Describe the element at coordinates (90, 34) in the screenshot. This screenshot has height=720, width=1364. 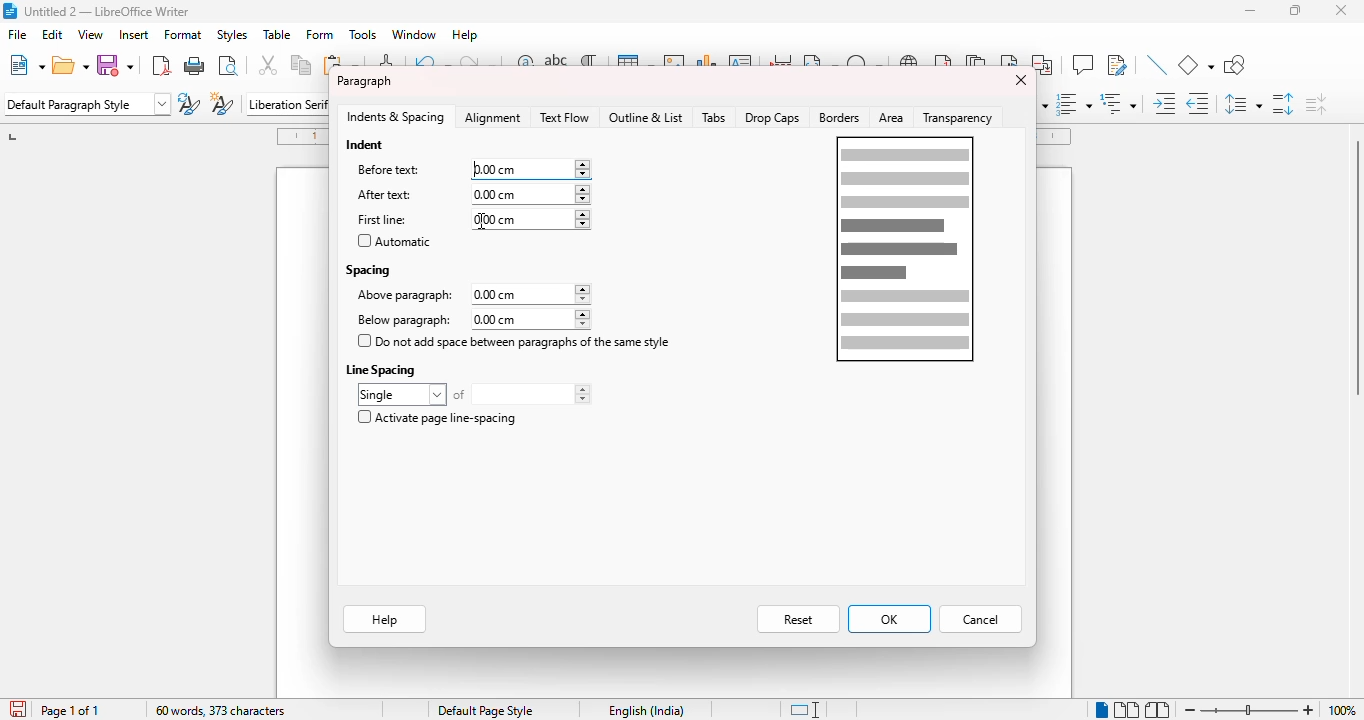
I see `view` at that location.